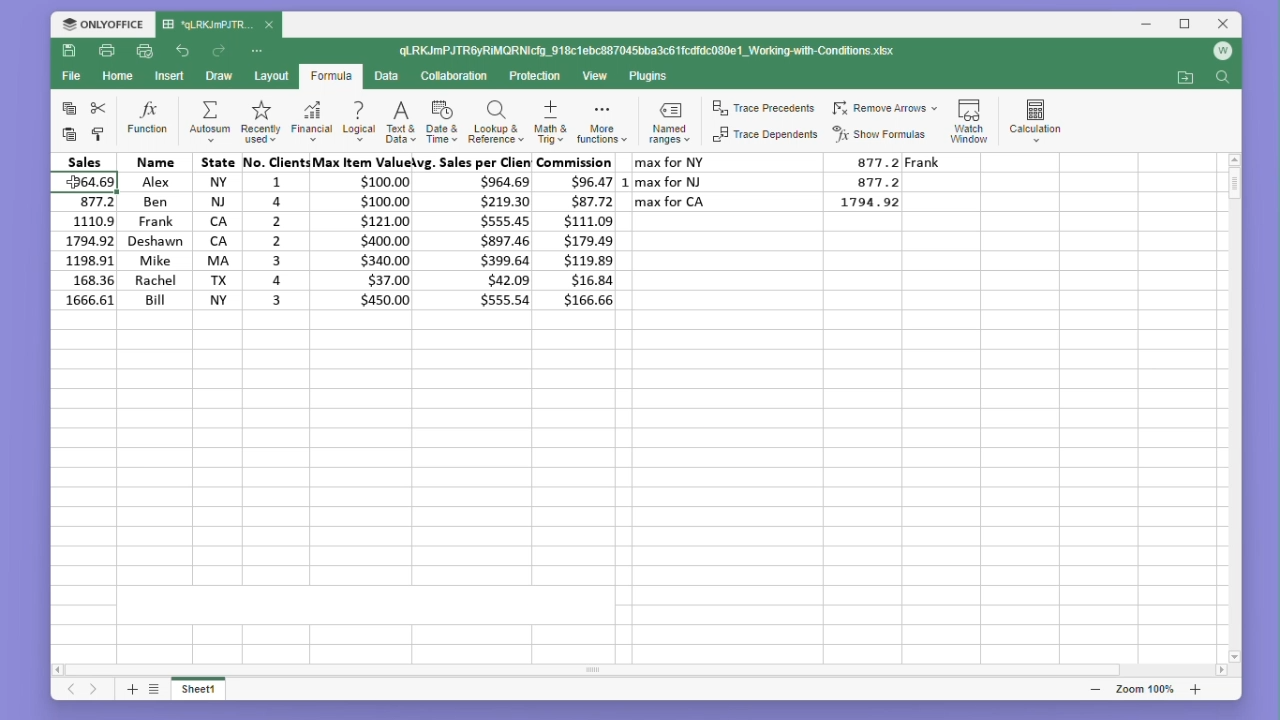 Image resolution: width=1280 pixels, height=720 pixels. What do you see at coordinates (1234, 159) in the screenshot?
I see `scroll up` at bounding box center [1234, 159].